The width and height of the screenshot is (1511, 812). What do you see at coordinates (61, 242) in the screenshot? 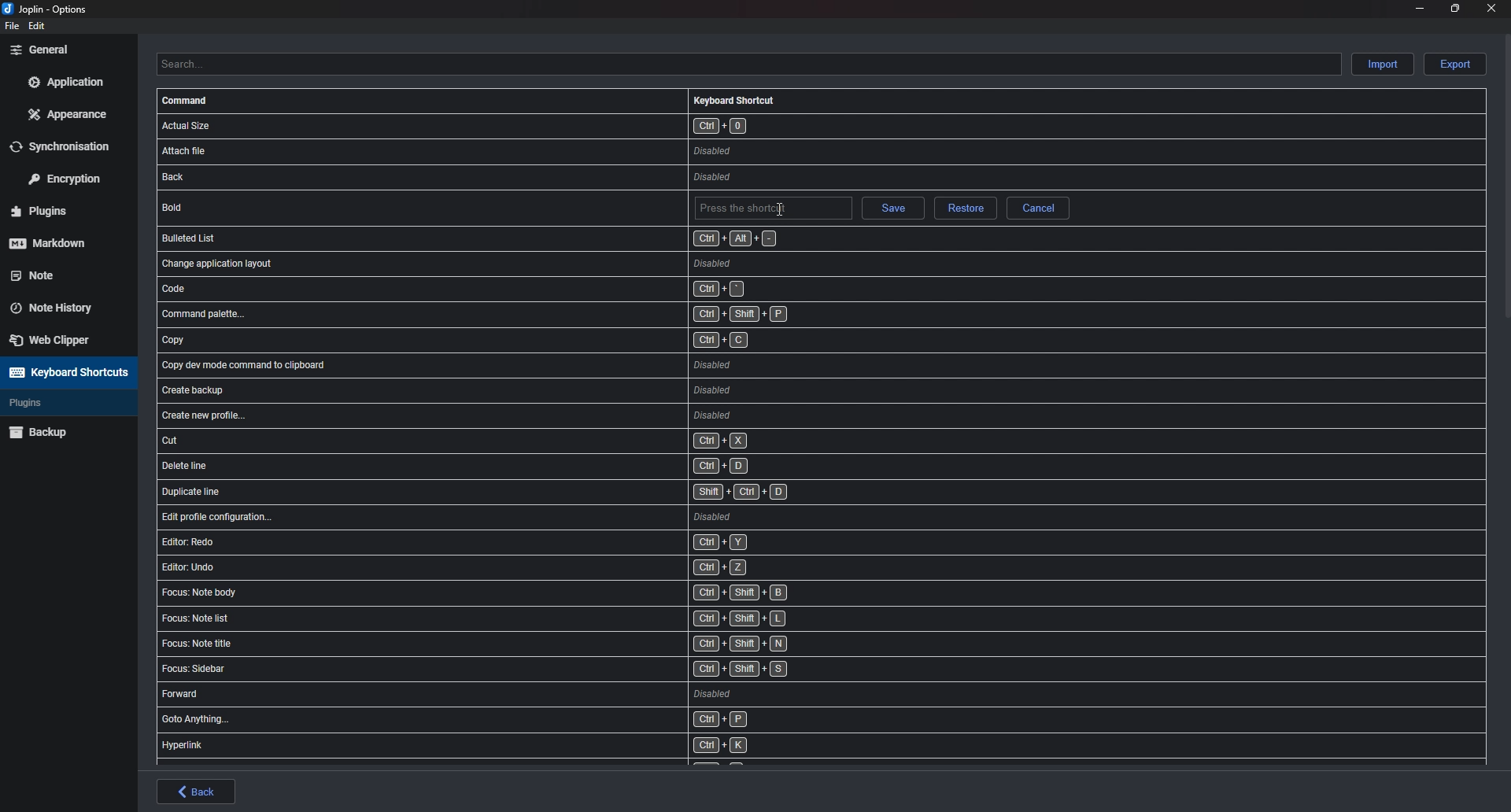
I see `mark down` at bounding box center [61, 242].